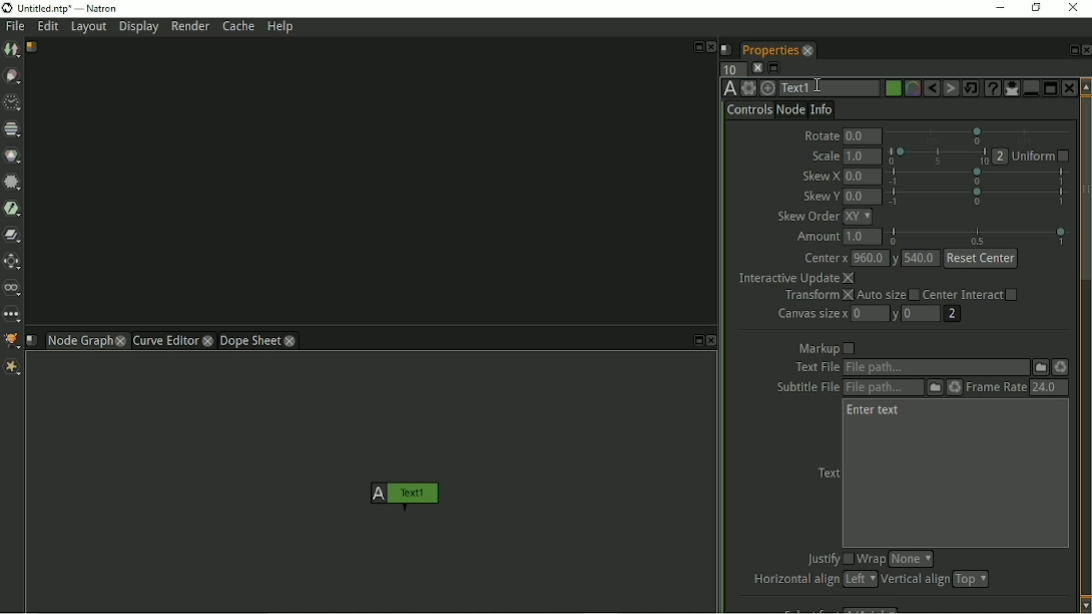  Describe the element at coordinates (1041, 366) in the screenshot. I see `File` at that location.